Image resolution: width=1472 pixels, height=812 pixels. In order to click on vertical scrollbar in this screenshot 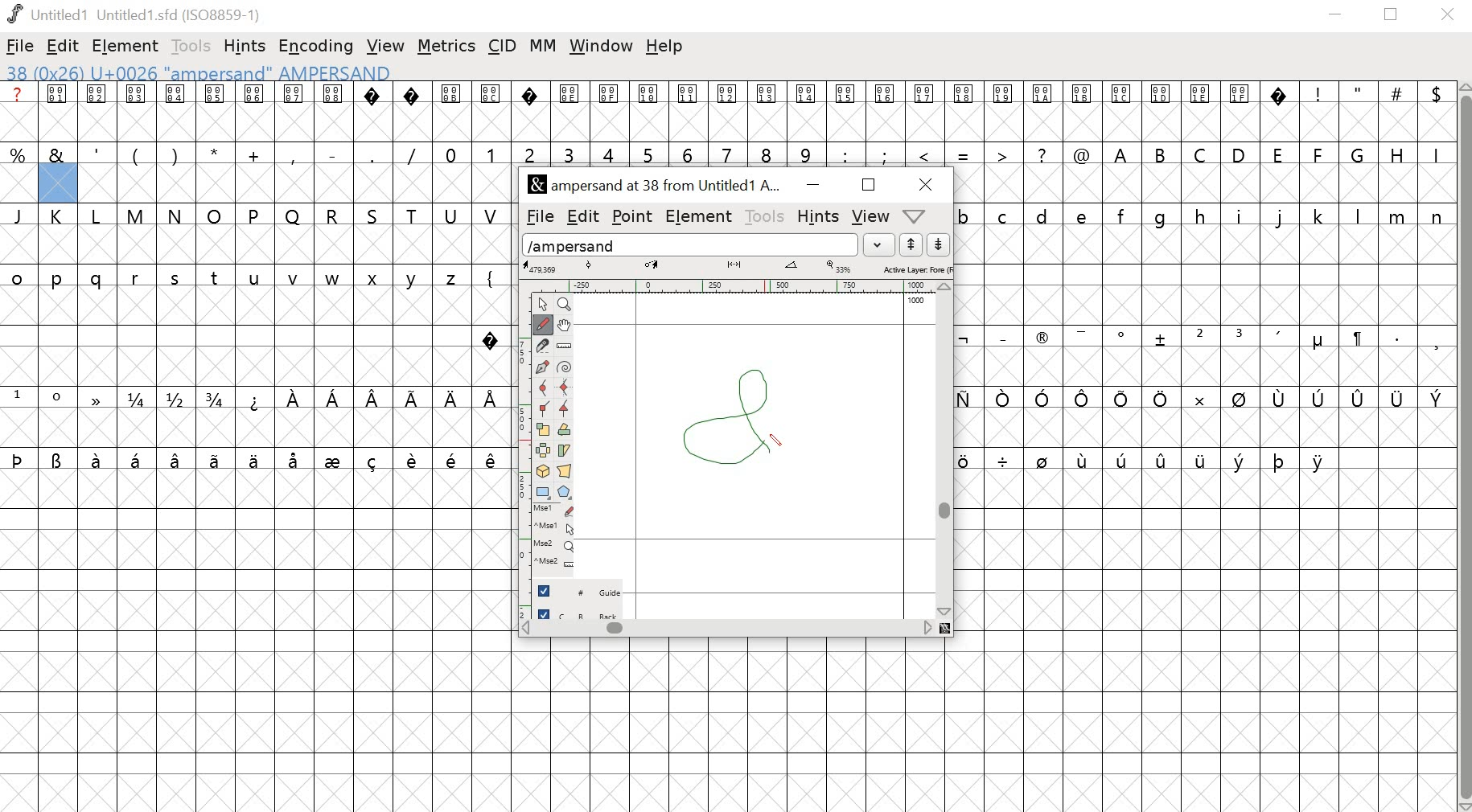, I will do `click(1463, 446)`.